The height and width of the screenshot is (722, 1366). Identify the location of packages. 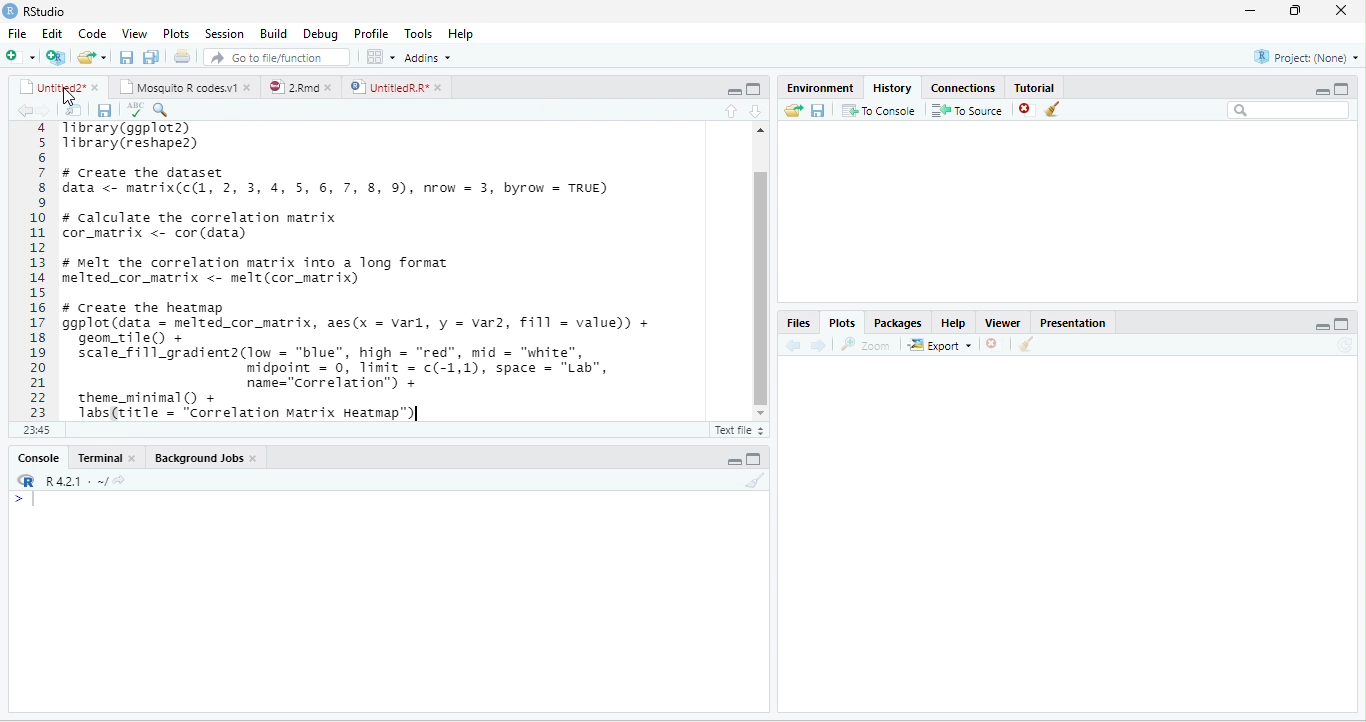
(897, 322).